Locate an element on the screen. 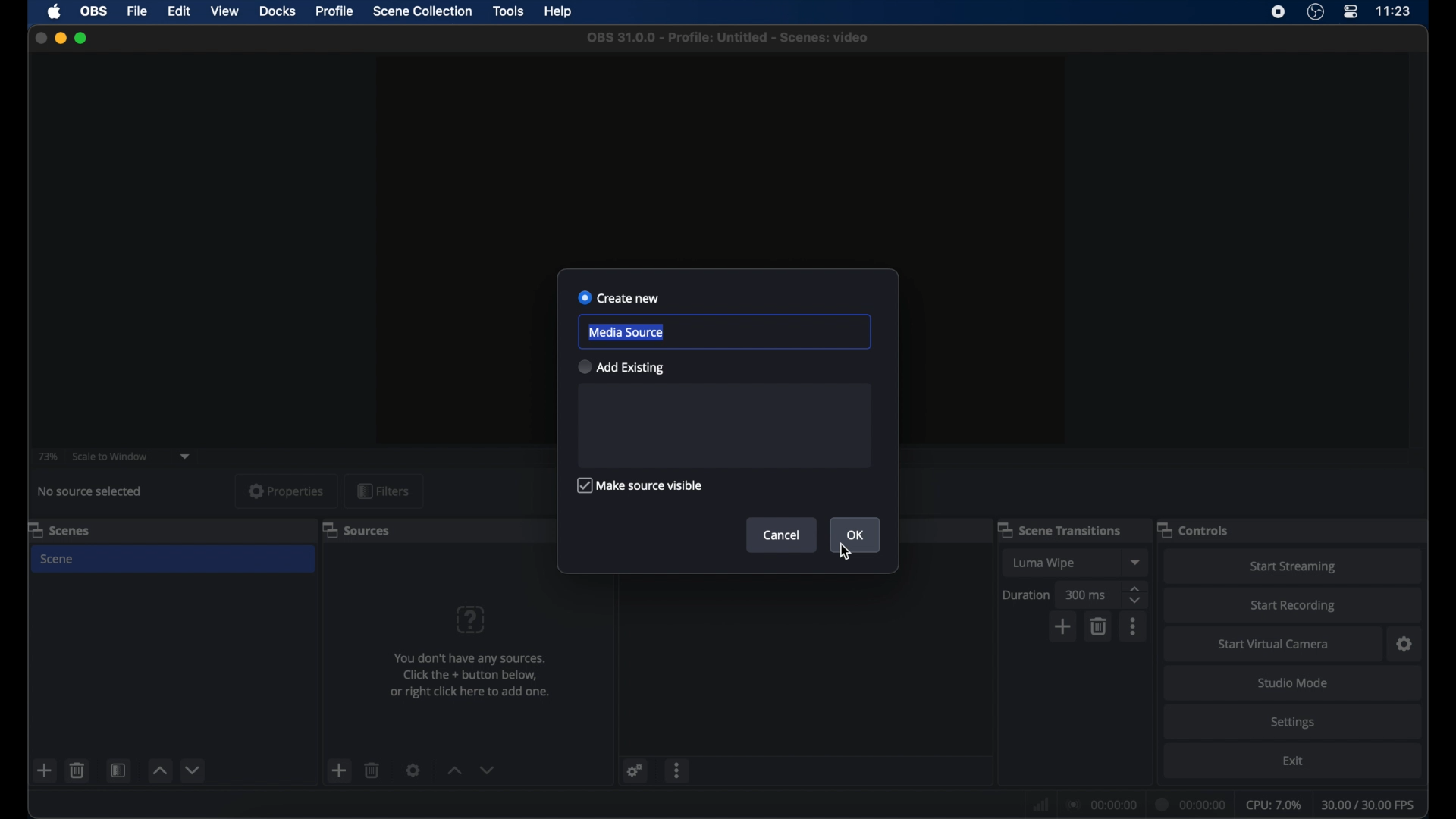 The width and height of the screenshot is (1456, 819). delete is located at coordinates (1098, 626).